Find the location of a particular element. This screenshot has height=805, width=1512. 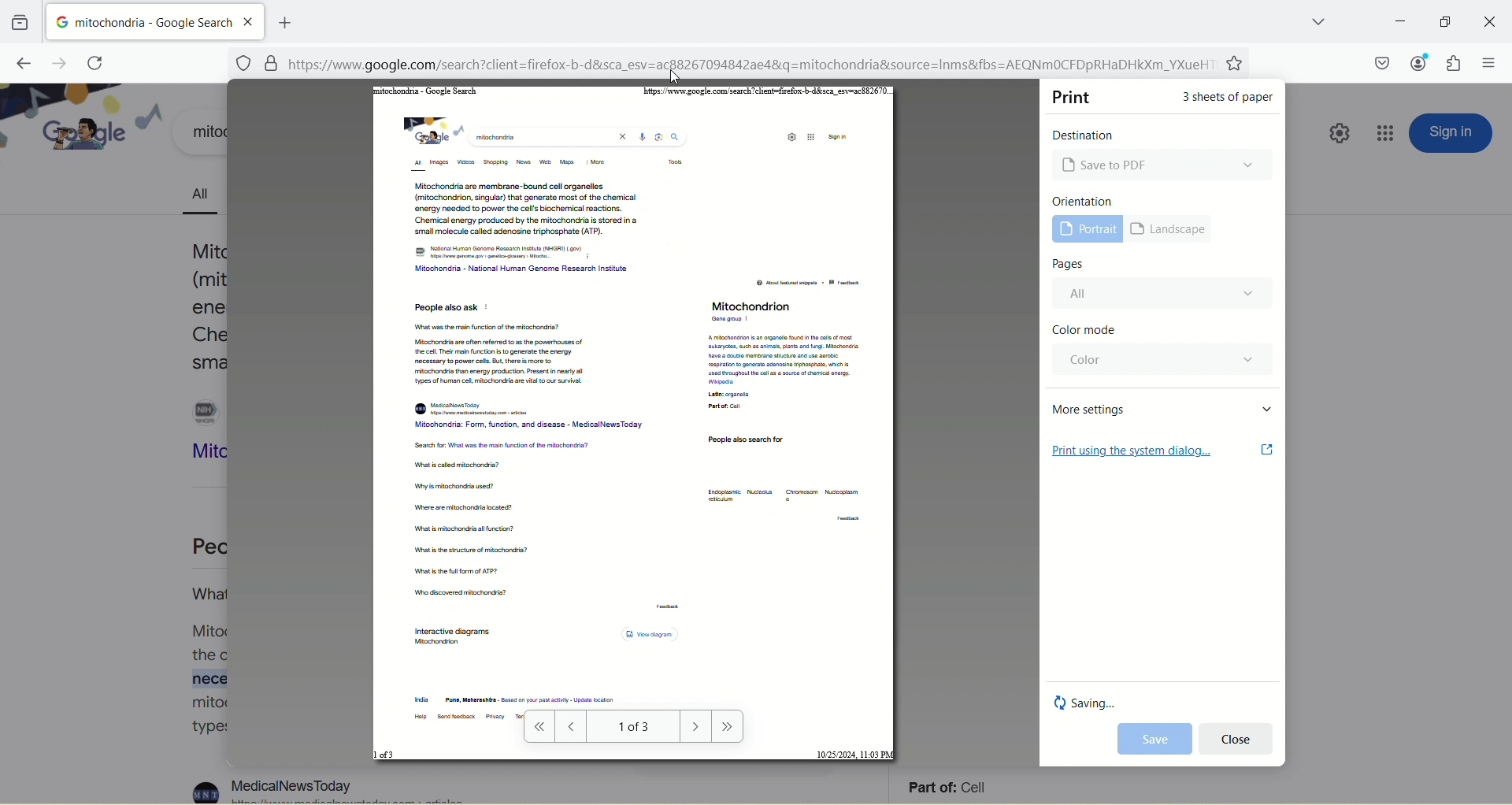

saving is located at coordinates (1087, 704).